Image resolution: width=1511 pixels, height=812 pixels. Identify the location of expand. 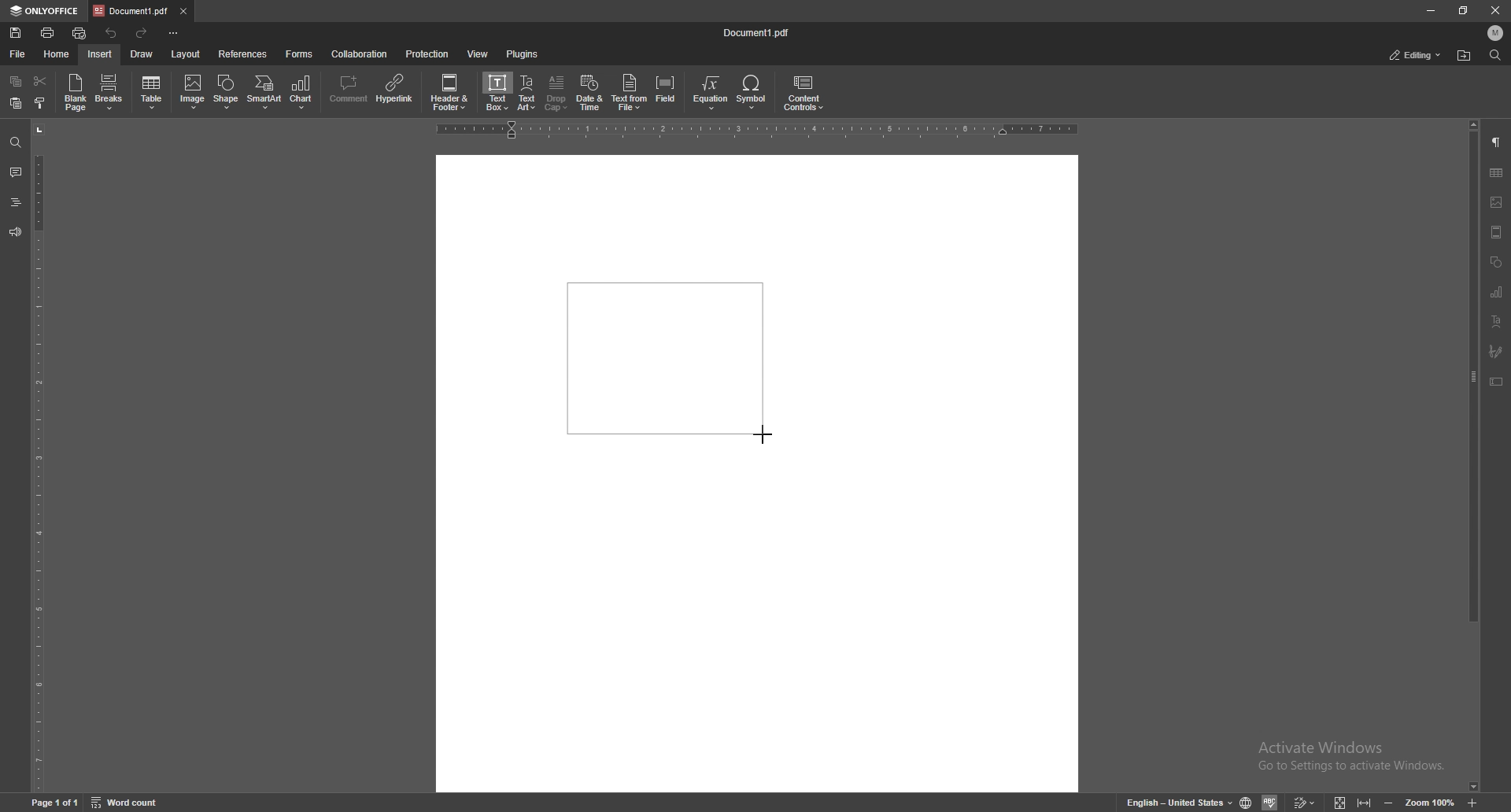
(1350, 803).